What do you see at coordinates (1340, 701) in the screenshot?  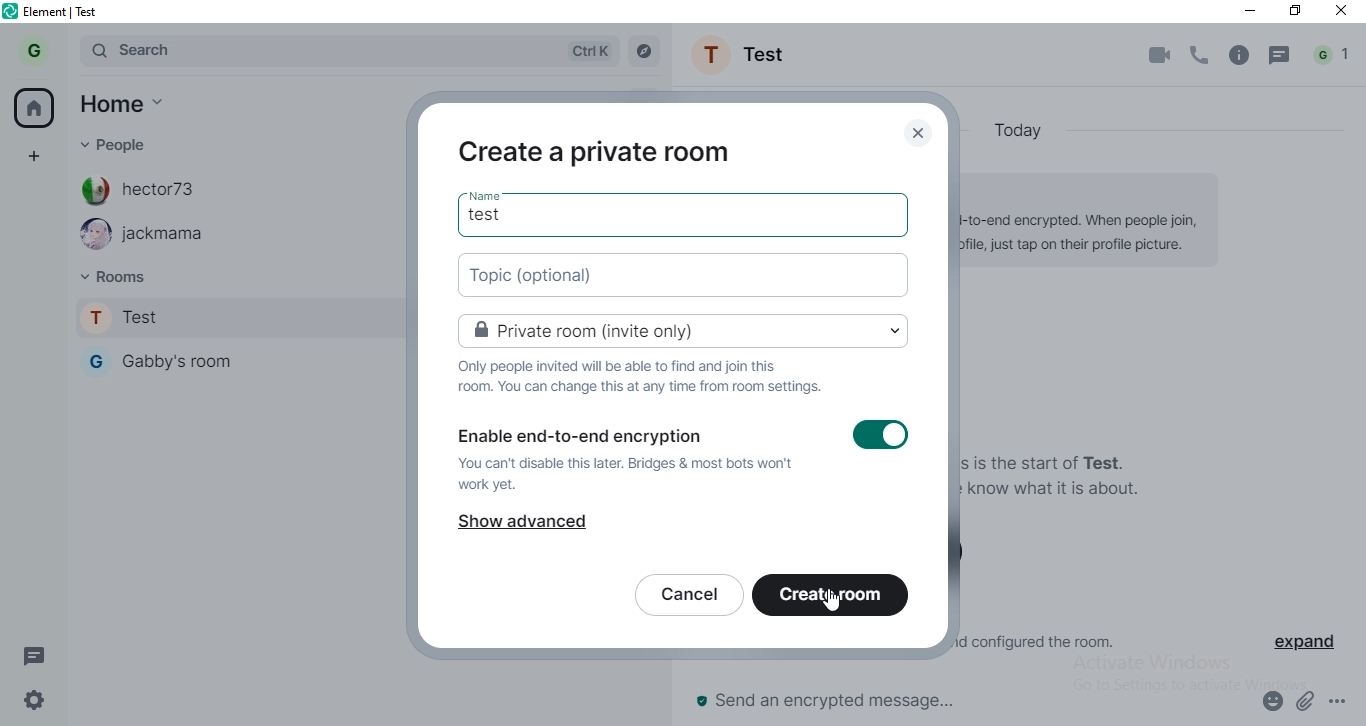 I see `options` at bounding box center [1340, 701].